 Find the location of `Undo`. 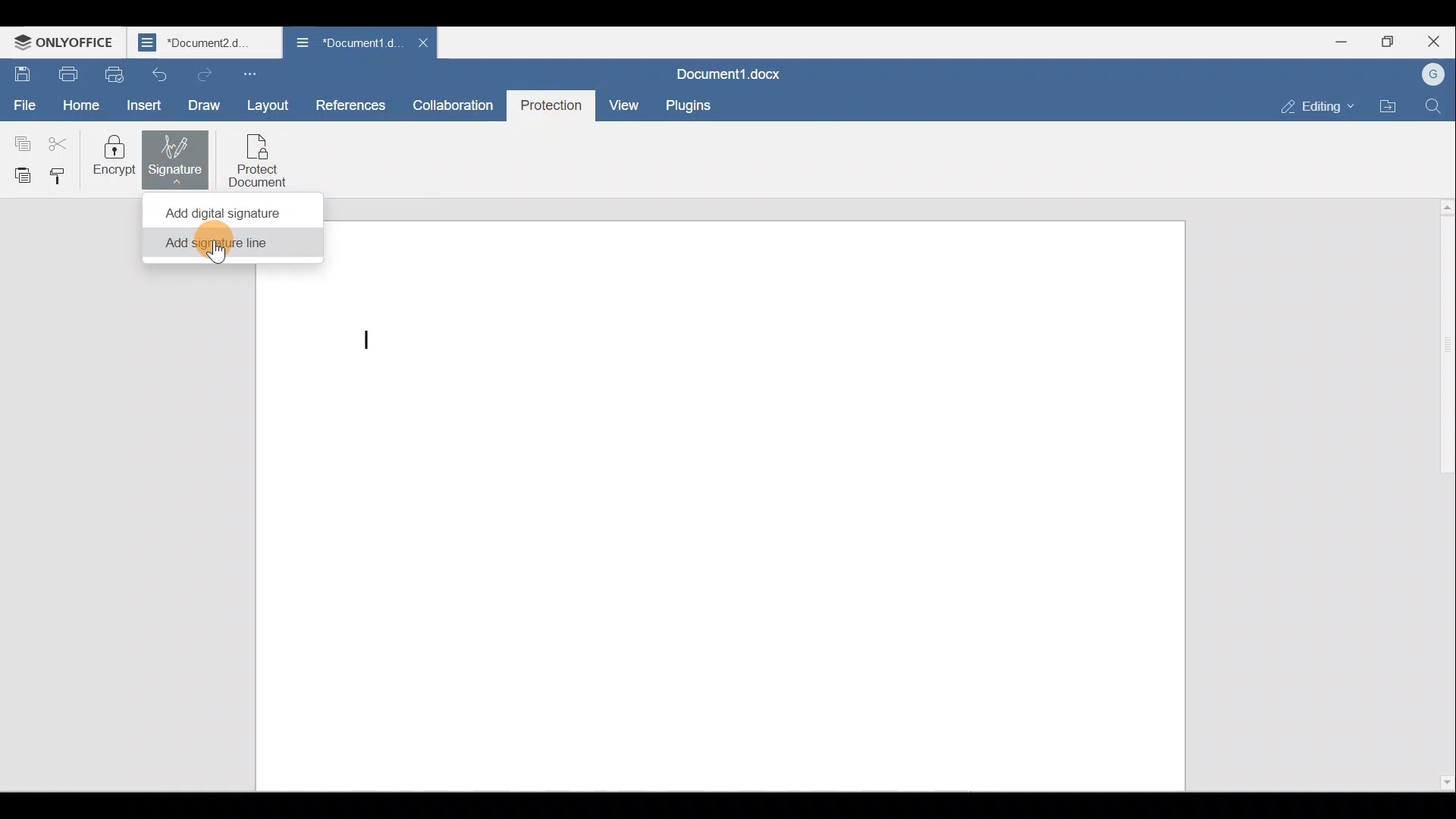

Undo is located at coordinates (158, 74).